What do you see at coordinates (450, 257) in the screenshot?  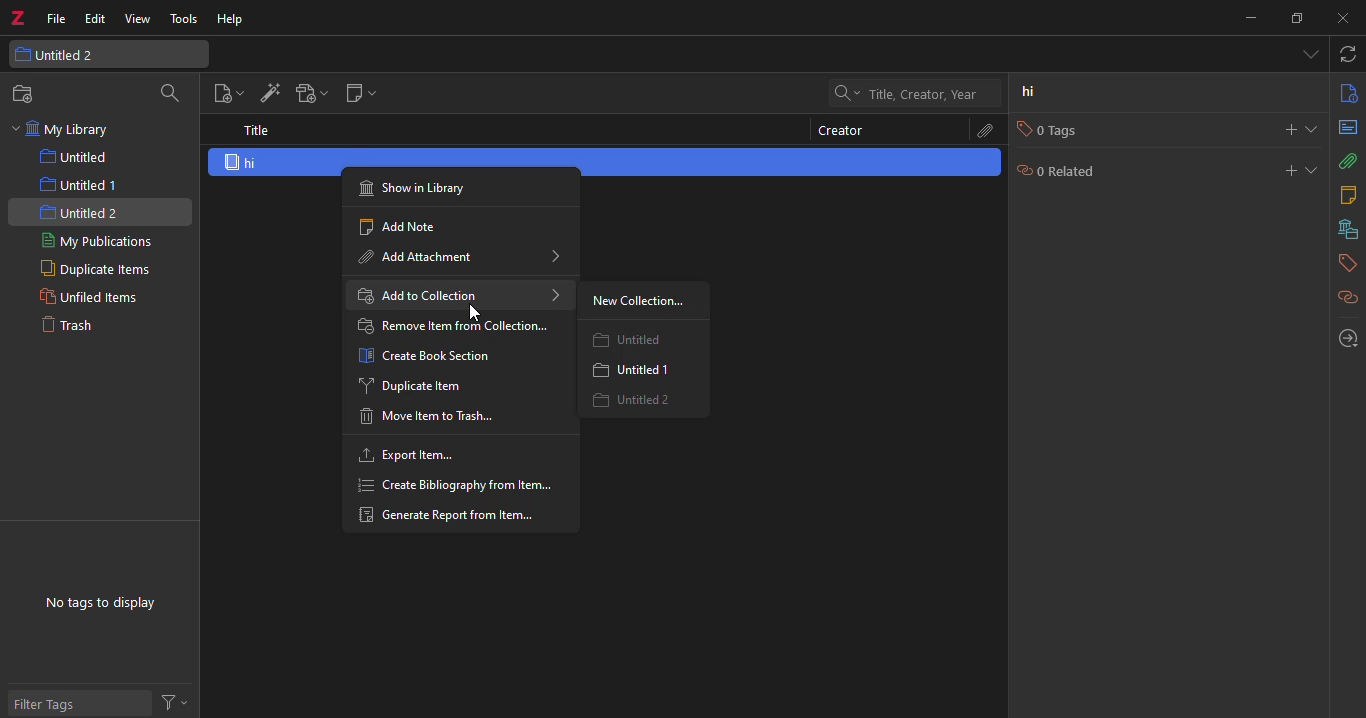 I see `add attachment` at bounding box center [450, 257].